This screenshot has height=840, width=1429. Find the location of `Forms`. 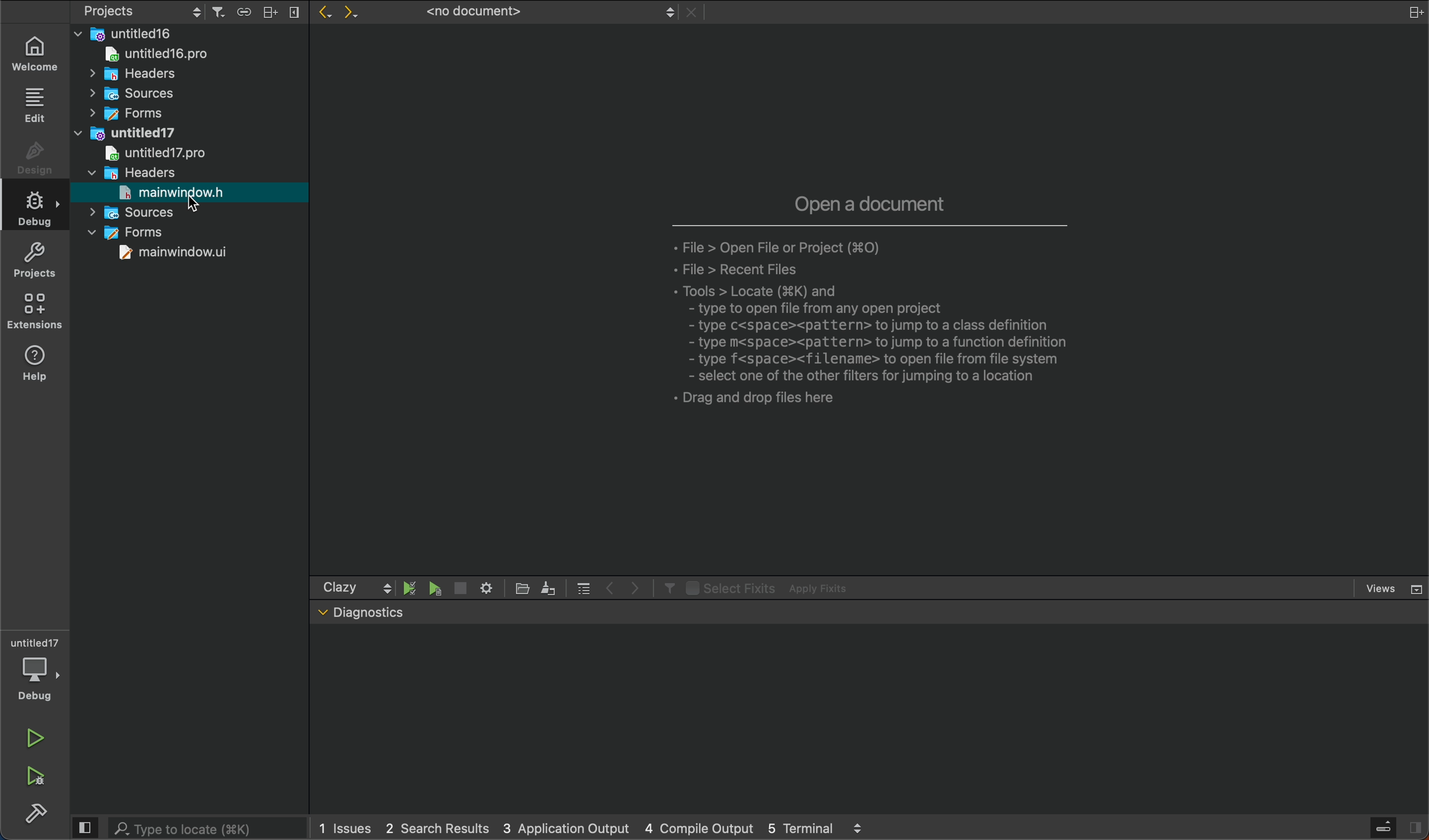

Forms is located at coordinates (123, 113).